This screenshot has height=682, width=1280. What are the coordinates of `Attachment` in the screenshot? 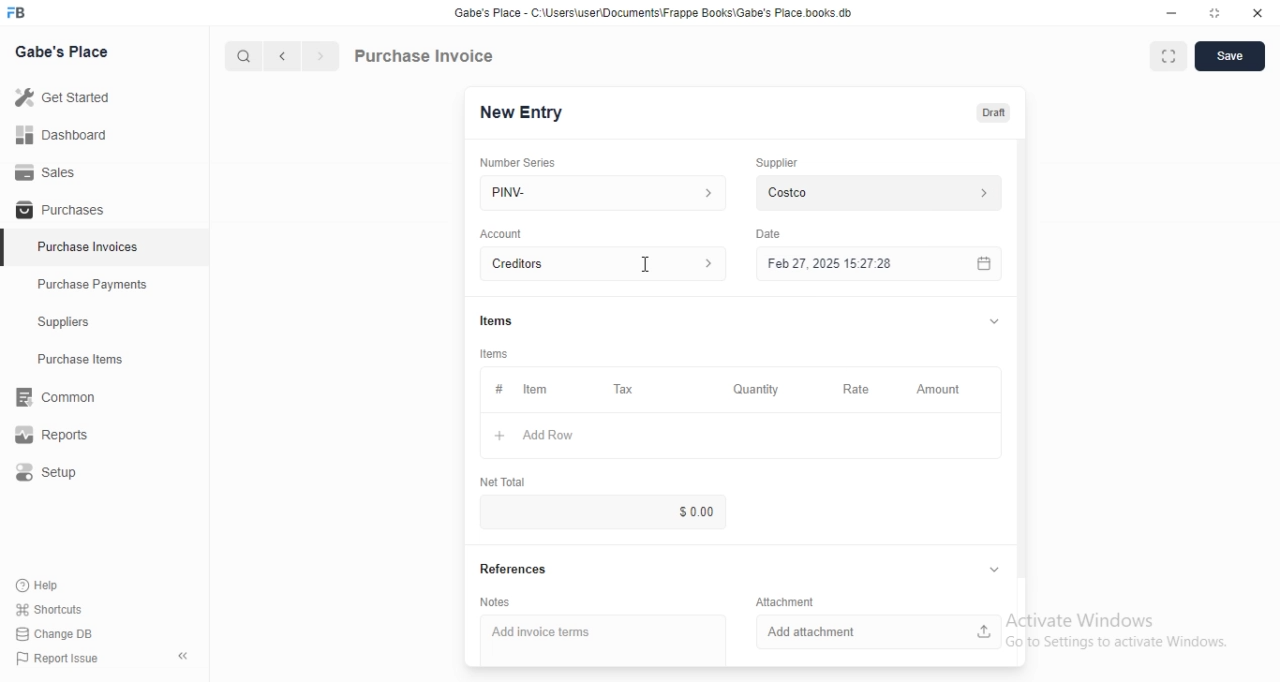 It's located at (785, 601).